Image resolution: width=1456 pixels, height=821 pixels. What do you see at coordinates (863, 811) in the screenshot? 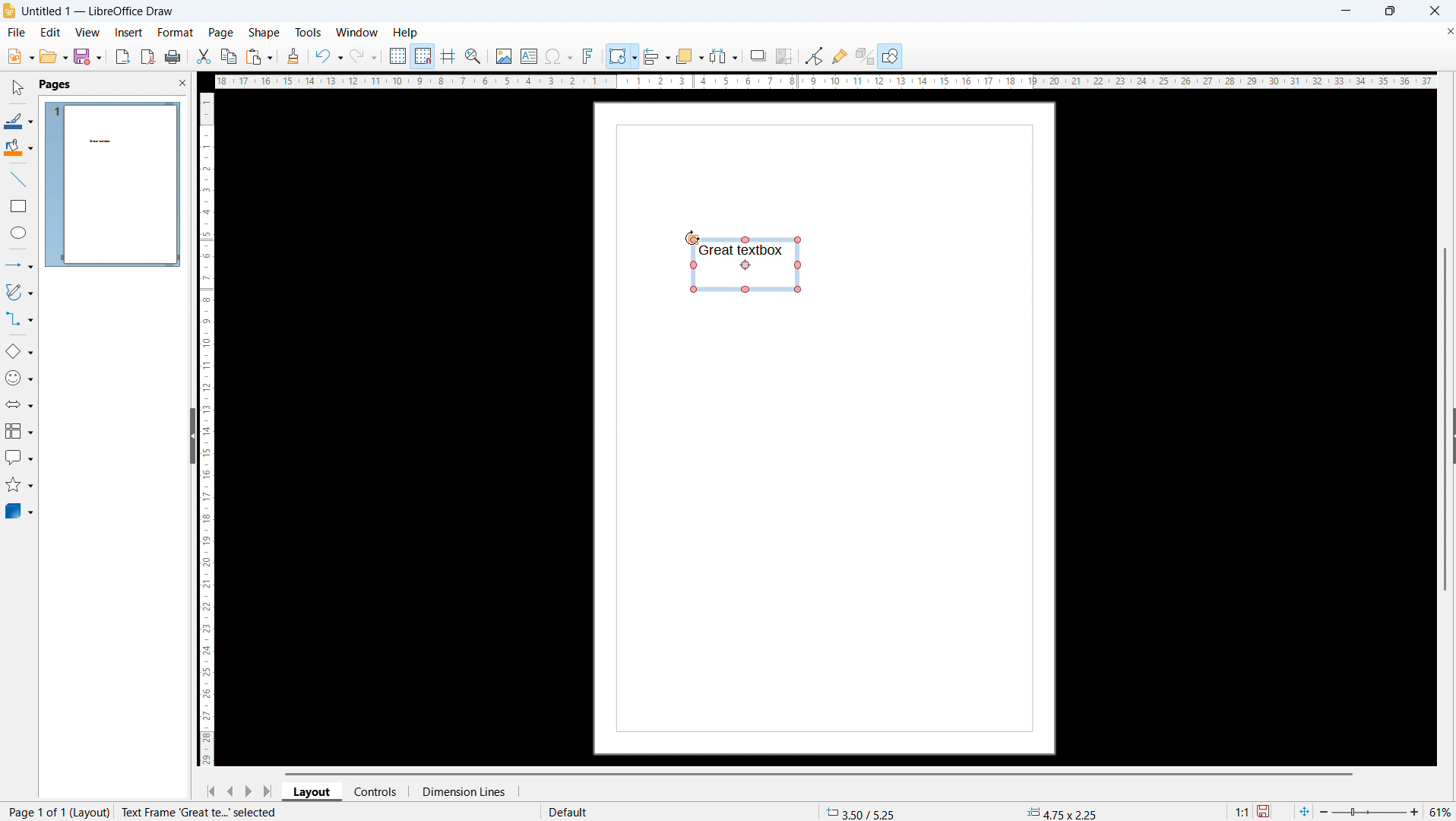
I see `cursor coordinates` at bounding box center [863, 811].